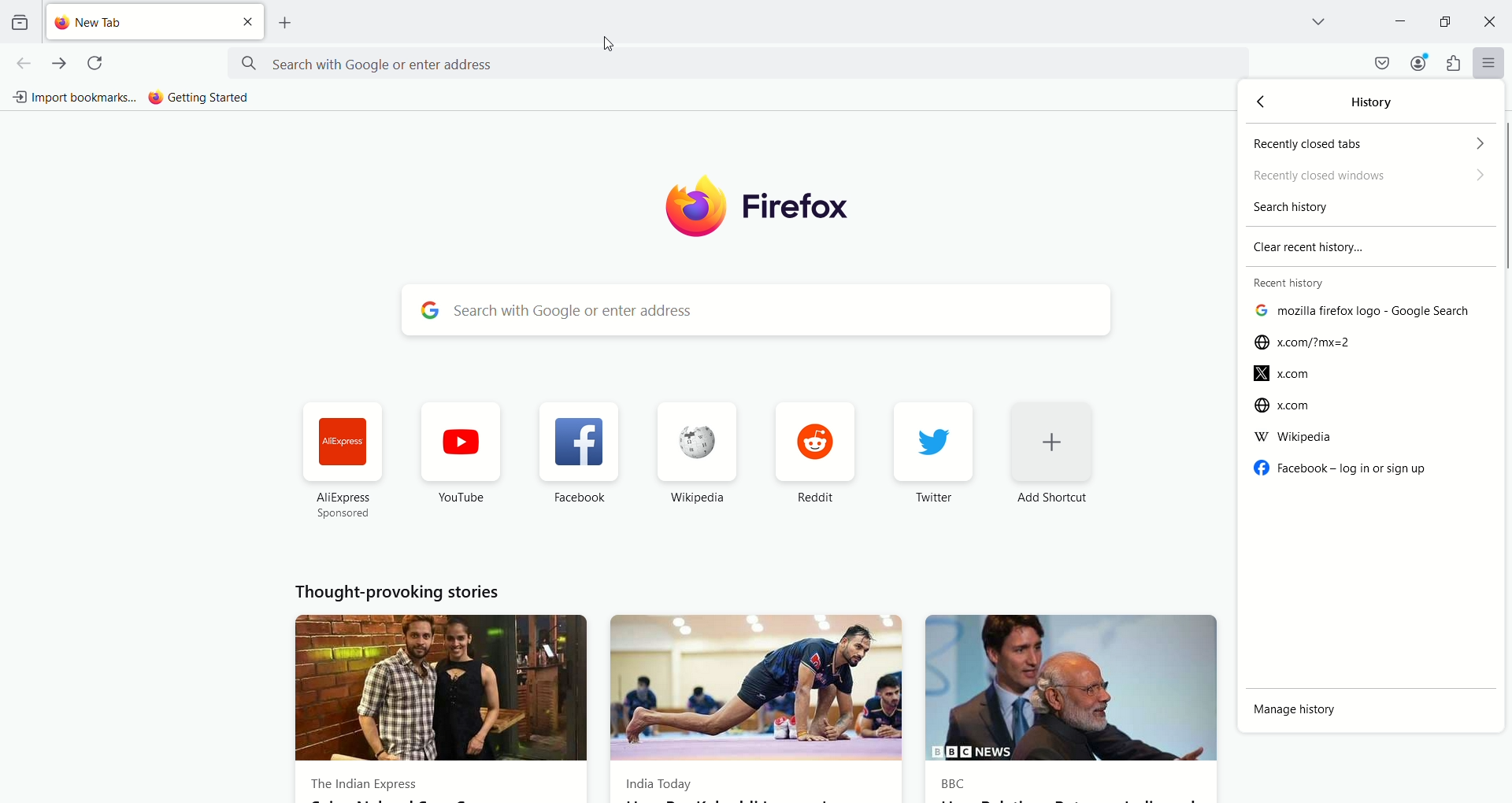  Describe the element at coordinates (702, 456) in the screenshot. I see `Wikipedia` at that location.